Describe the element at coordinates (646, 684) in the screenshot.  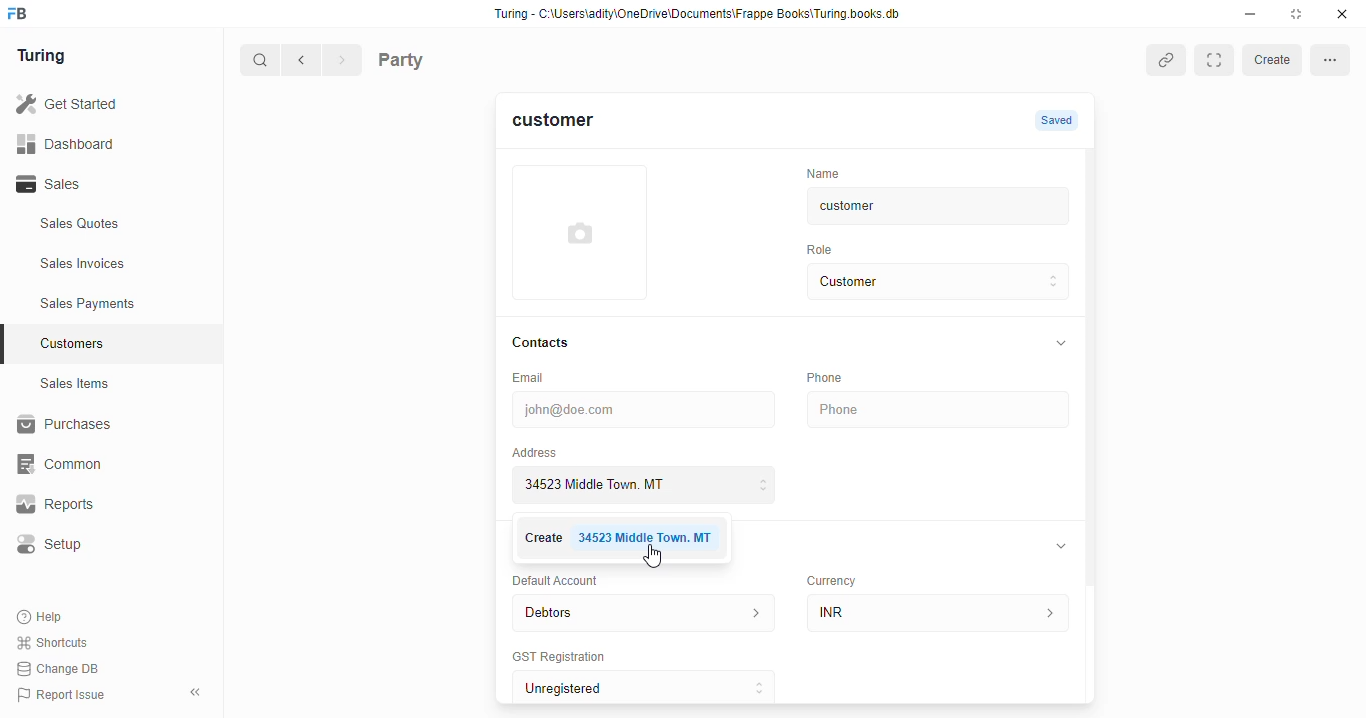
I see `Unregistered` at that location.